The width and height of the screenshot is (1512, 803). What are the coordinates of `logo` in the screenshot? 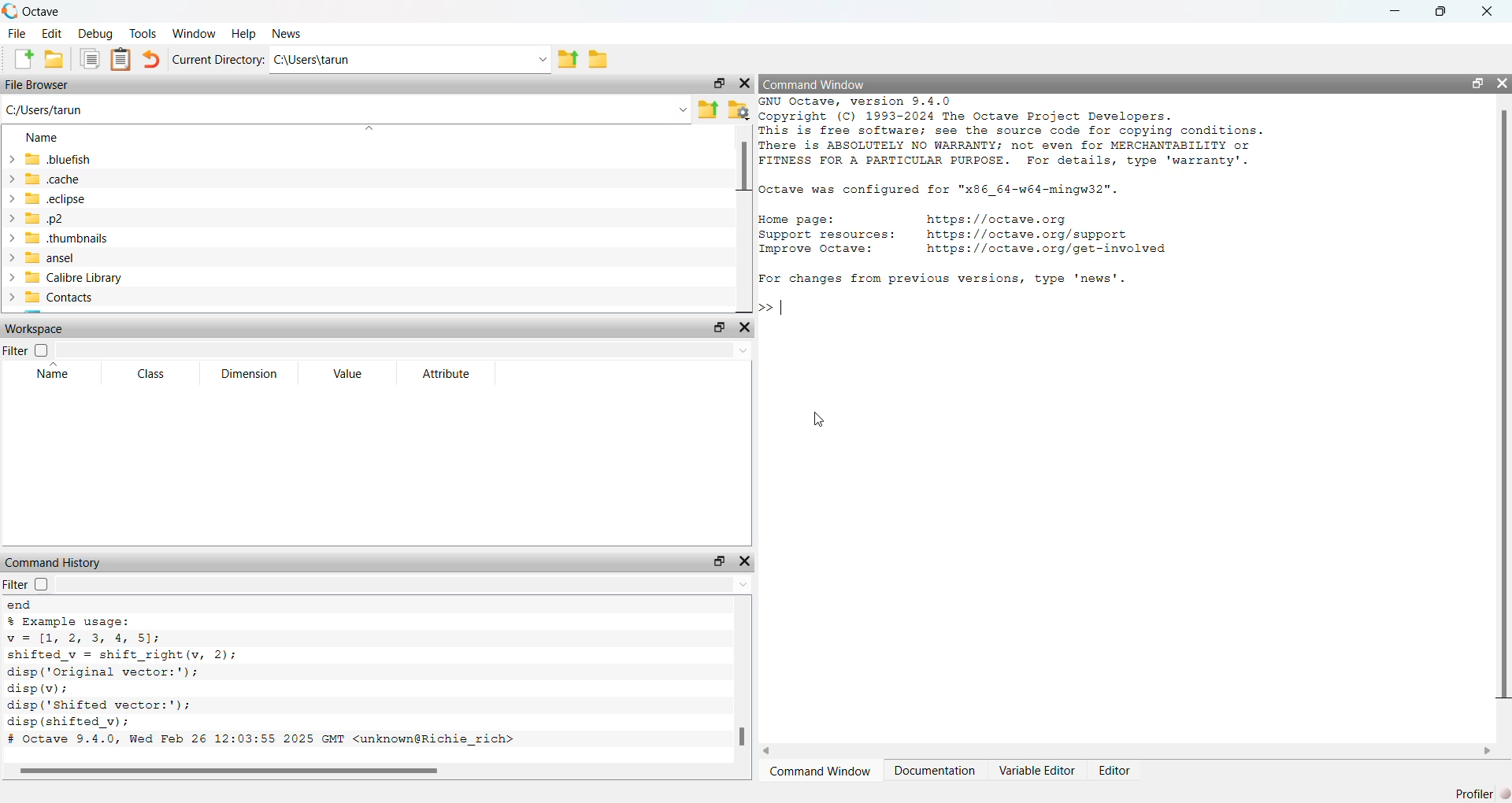 It's located at (10, 10).